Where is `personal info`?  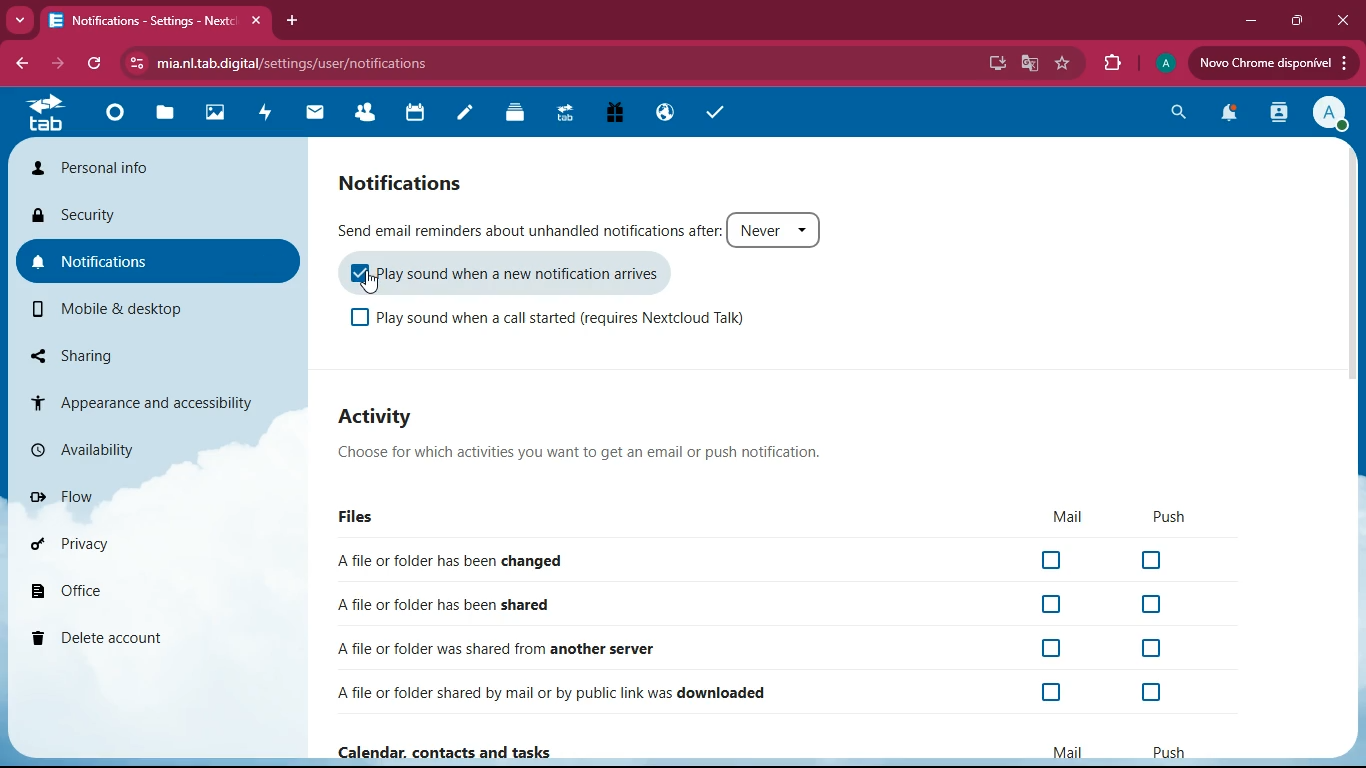 personal info is located at coordinates (161, 167).